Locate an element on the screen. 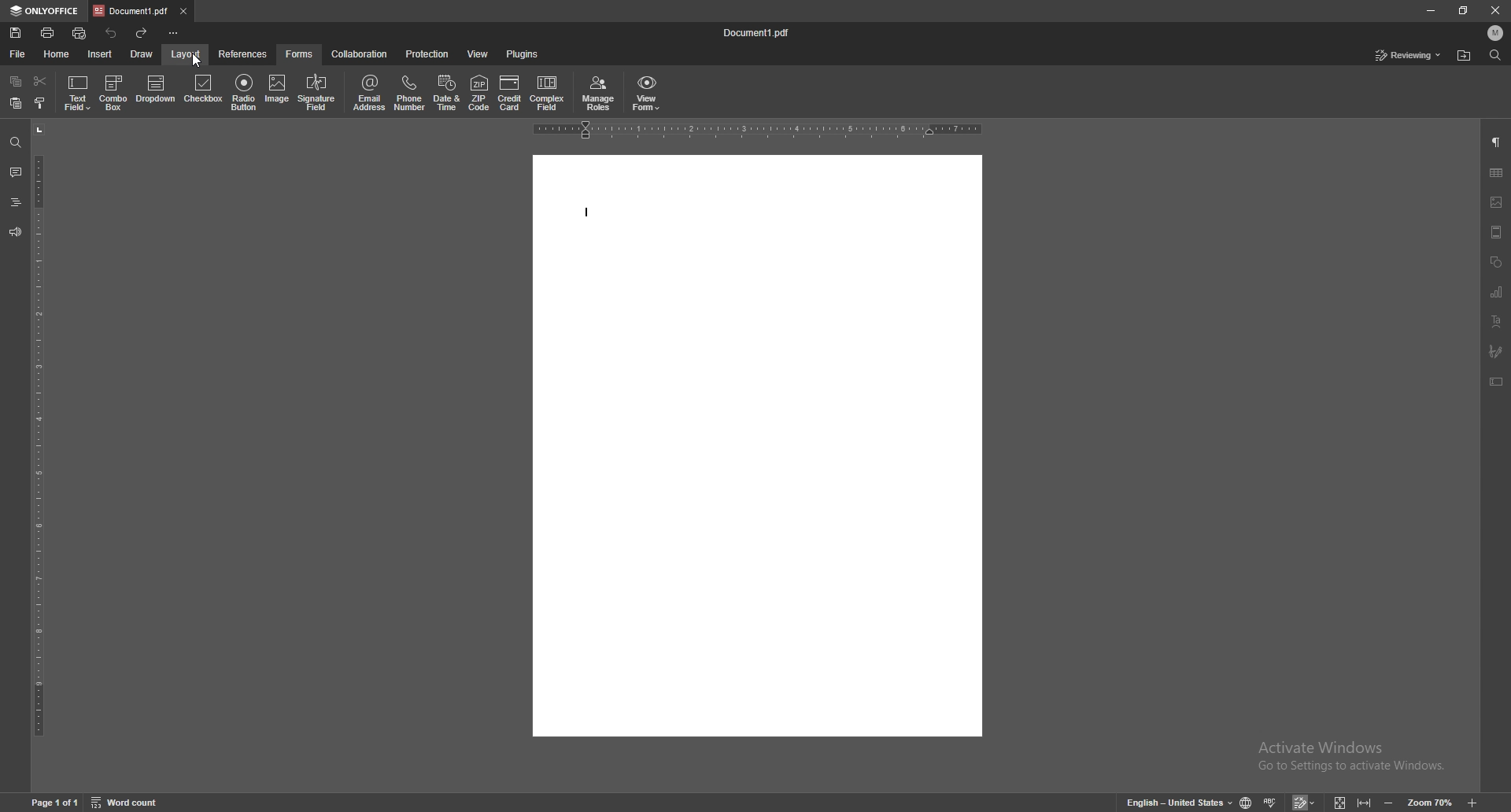 The width and height of the screenshot is (1511, 812). quick print is located at coordinates (80, 33).